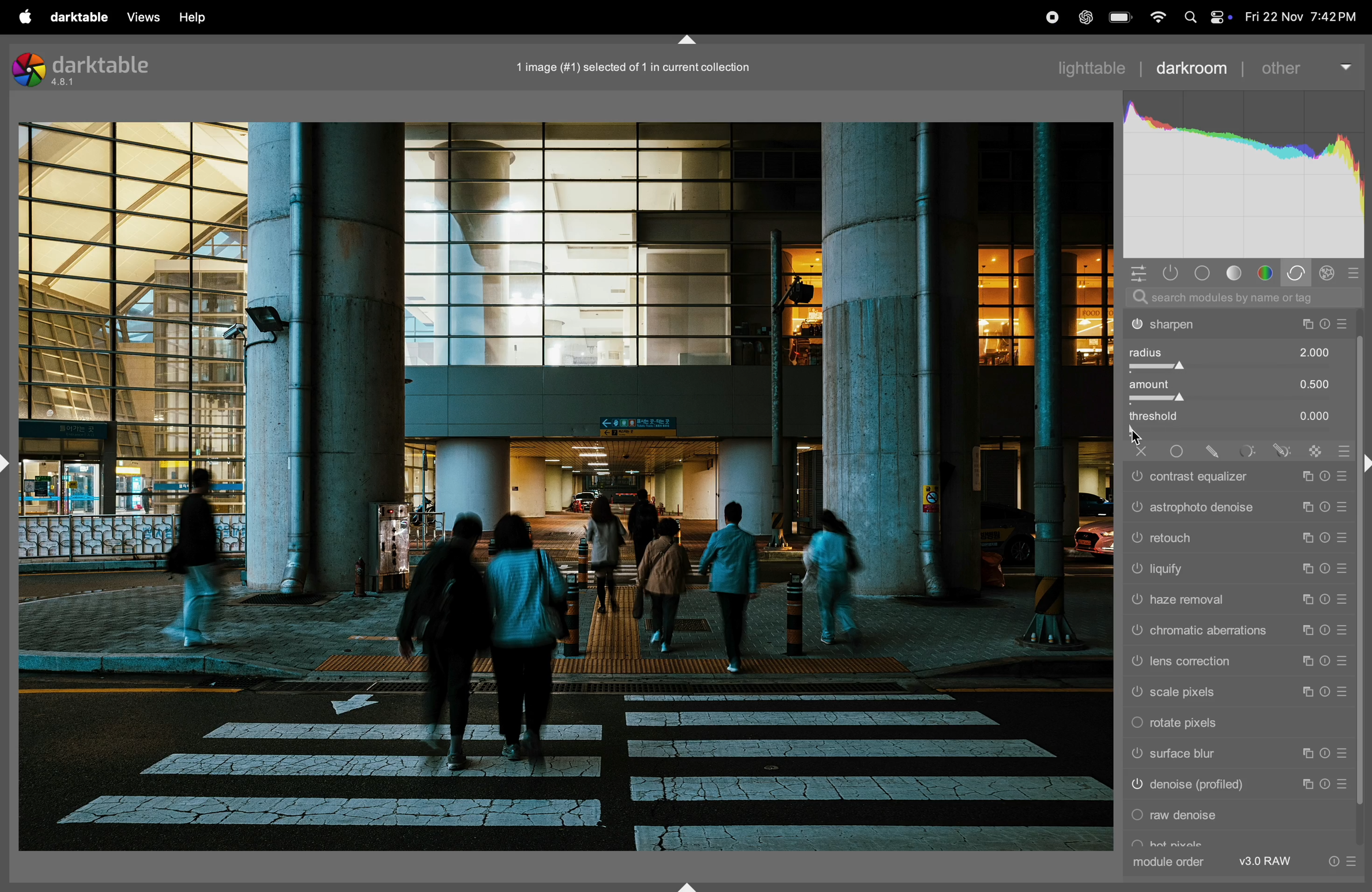 Image resolution: width=1372 pixels, height=892 pixels. What do you see at coordinates (1241, 297) in the screenshot?
I see `search bar` at bounding box center [1241, 297].